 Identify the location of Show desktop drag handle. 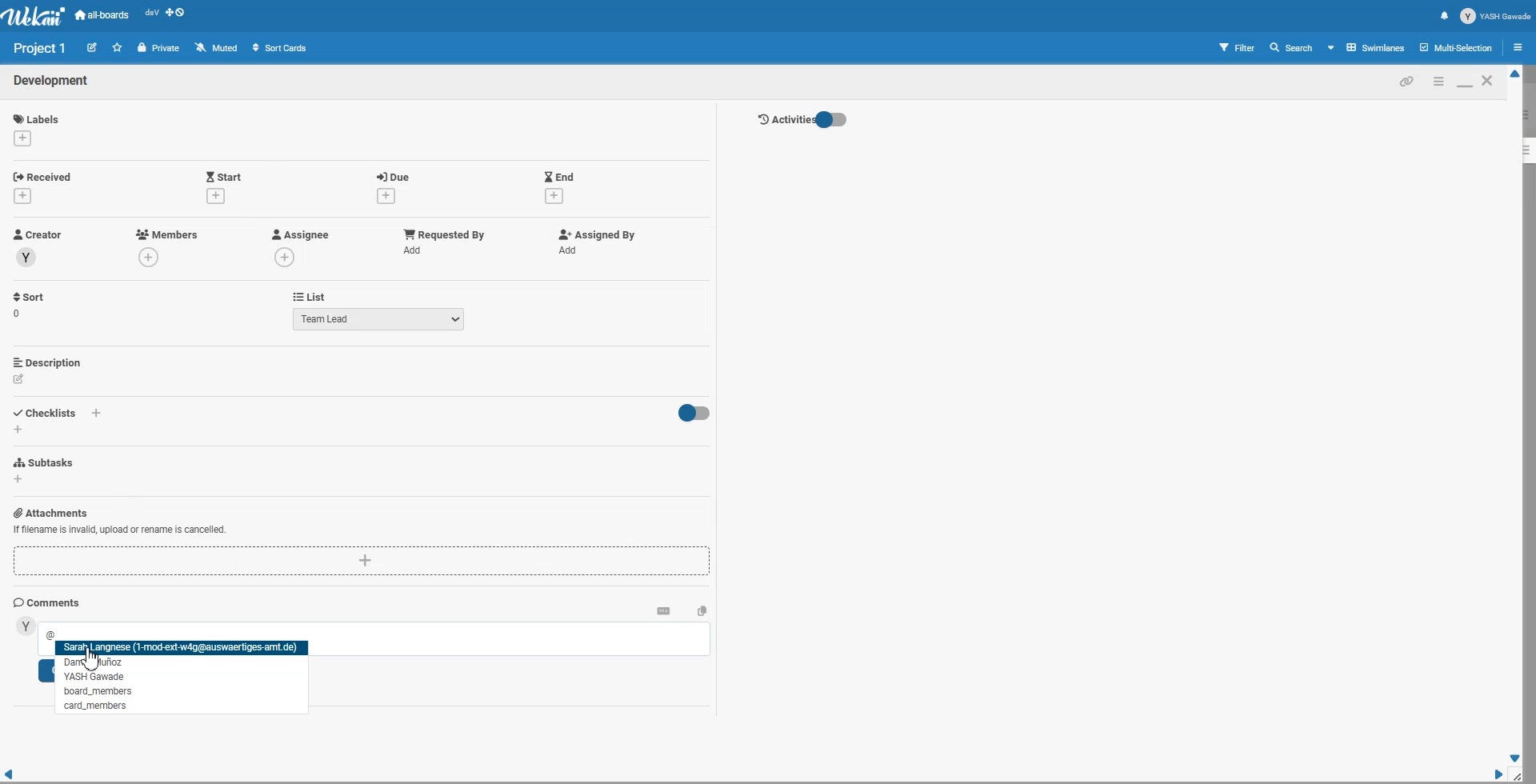
(177, 15).